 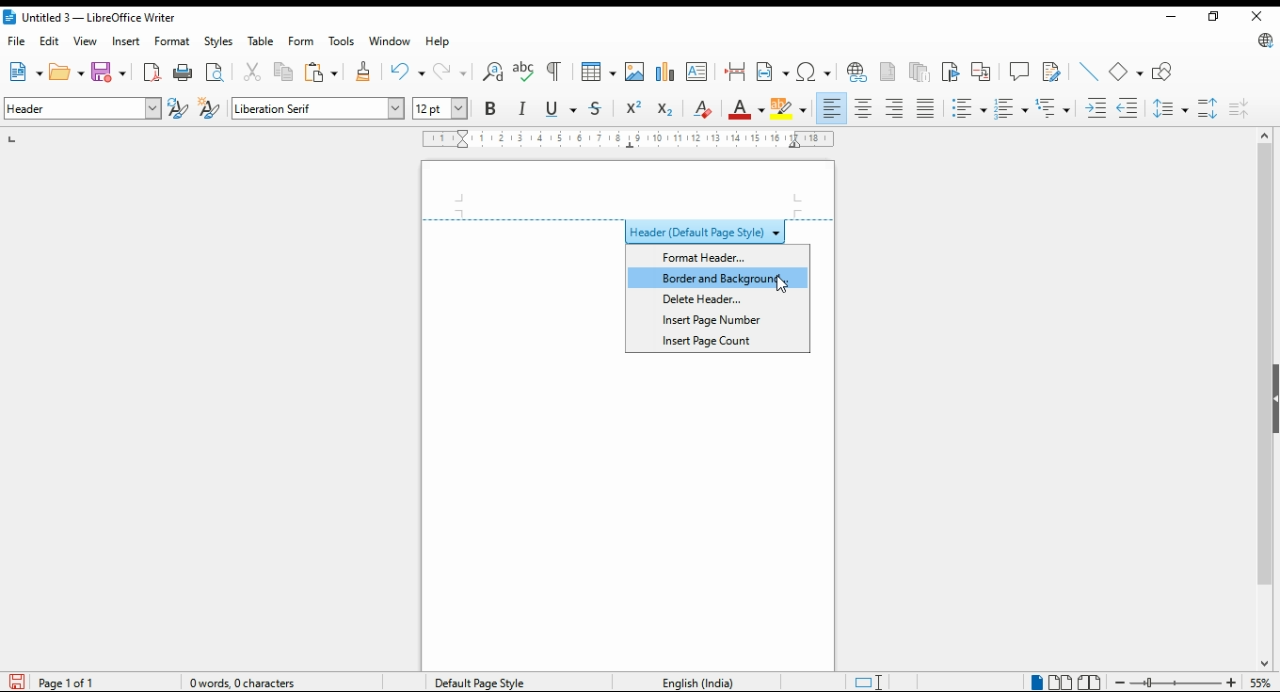 I want to click on insert image, so click(x=635, y=71).